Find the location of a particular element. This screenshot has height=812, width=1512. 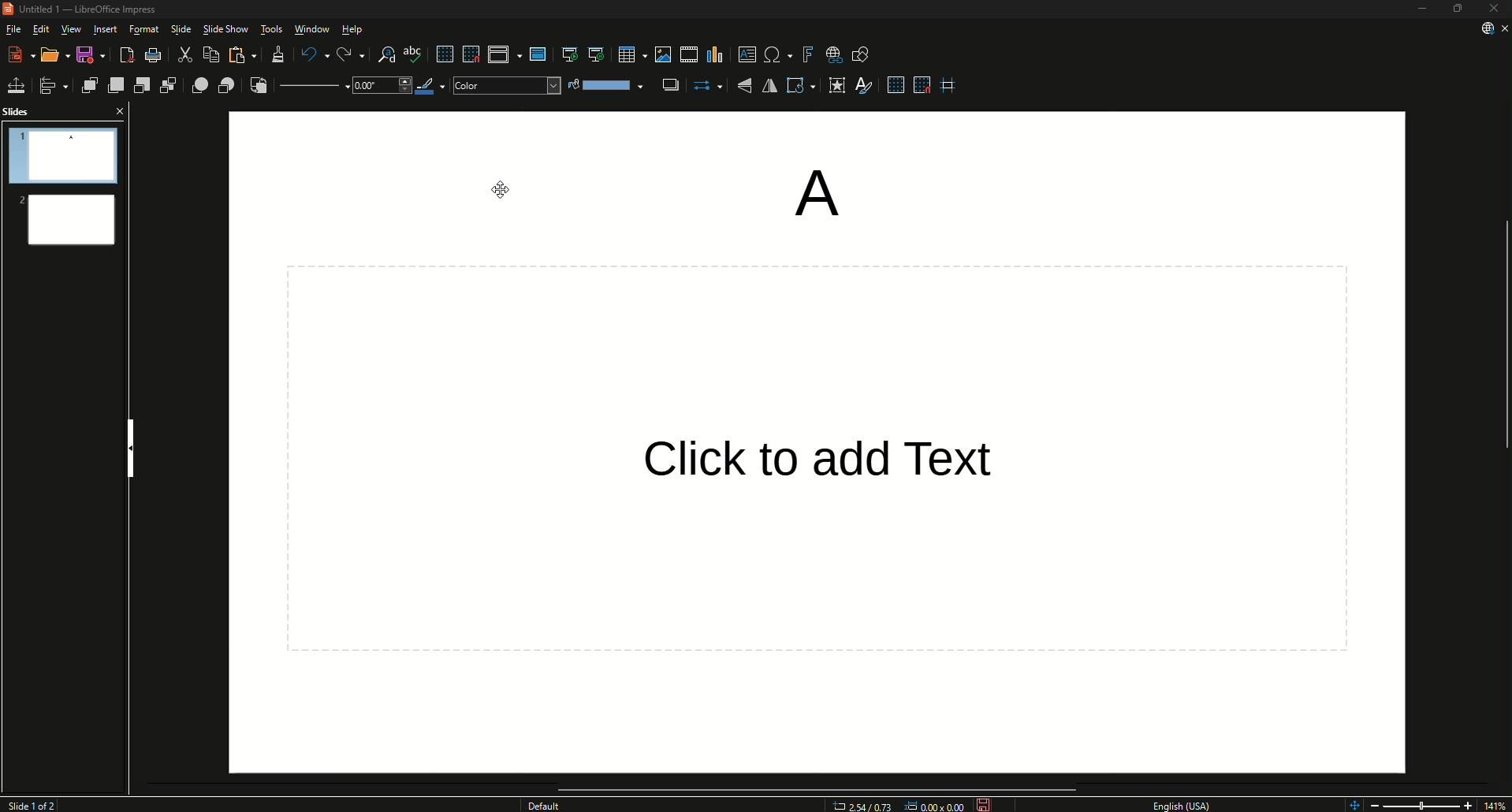

Minimize is located at coordinates (1422, 9).